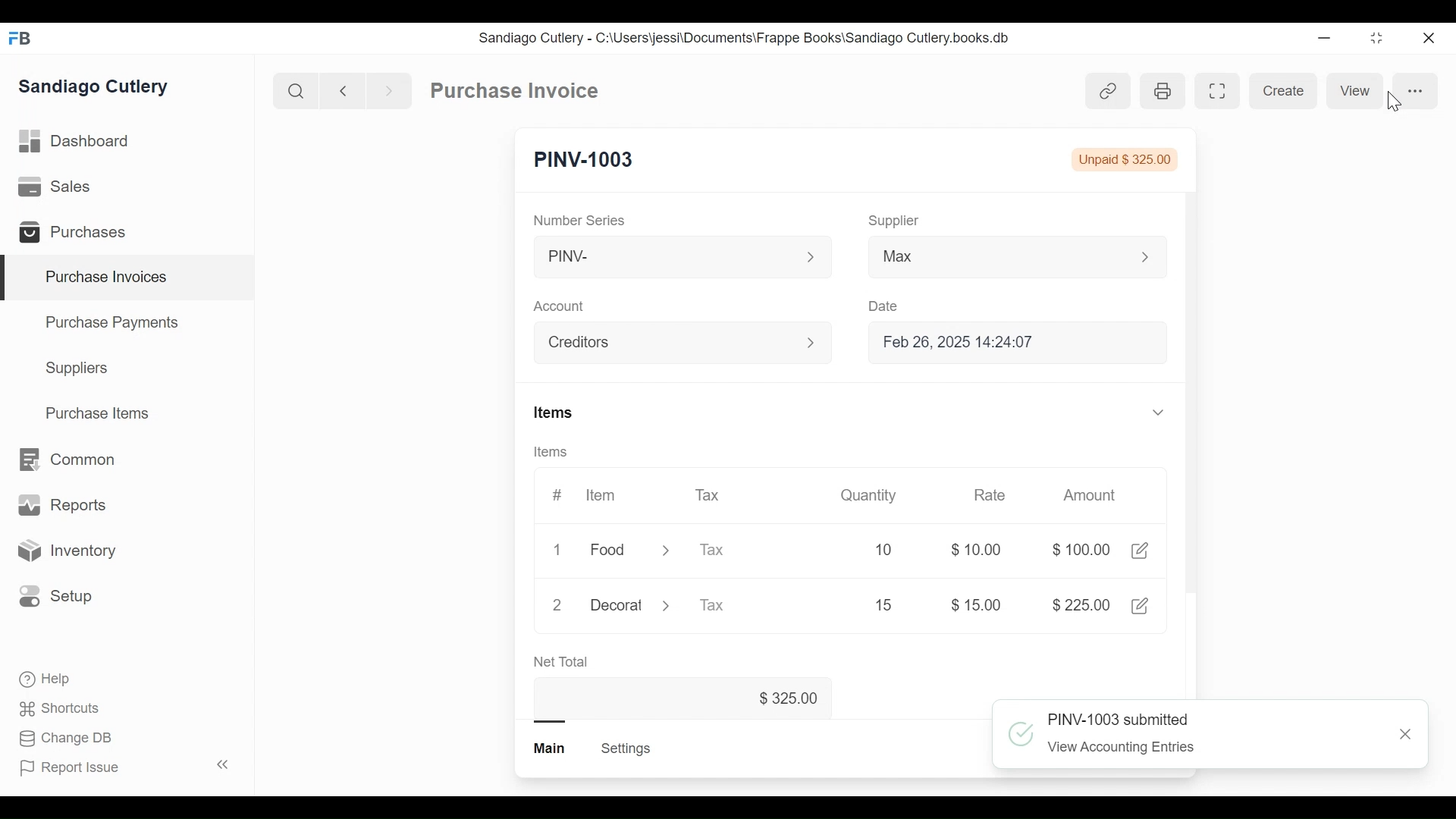  I want to click on 10, so click(866, 551).